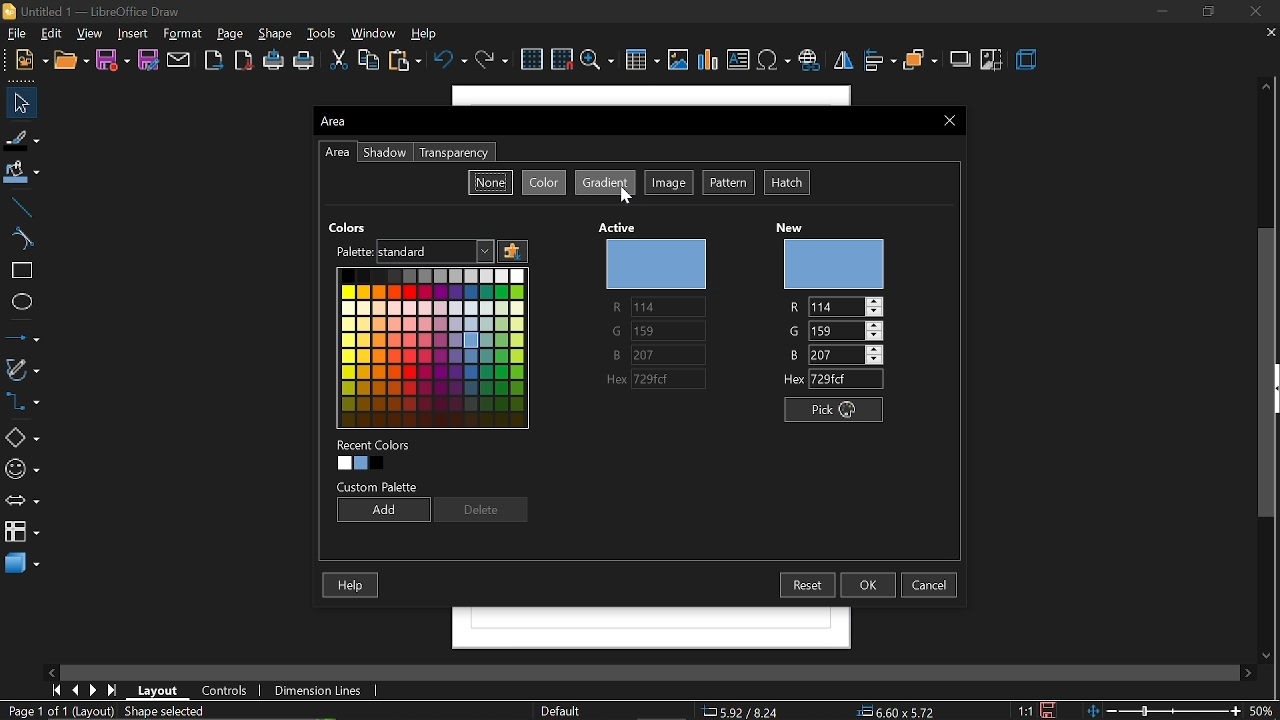 The height and width of the screenshot is (720, 1280). What do you see at coordinates (336, 61) in the screenshot?
I see `cut ` at bounding box center [336, 61].